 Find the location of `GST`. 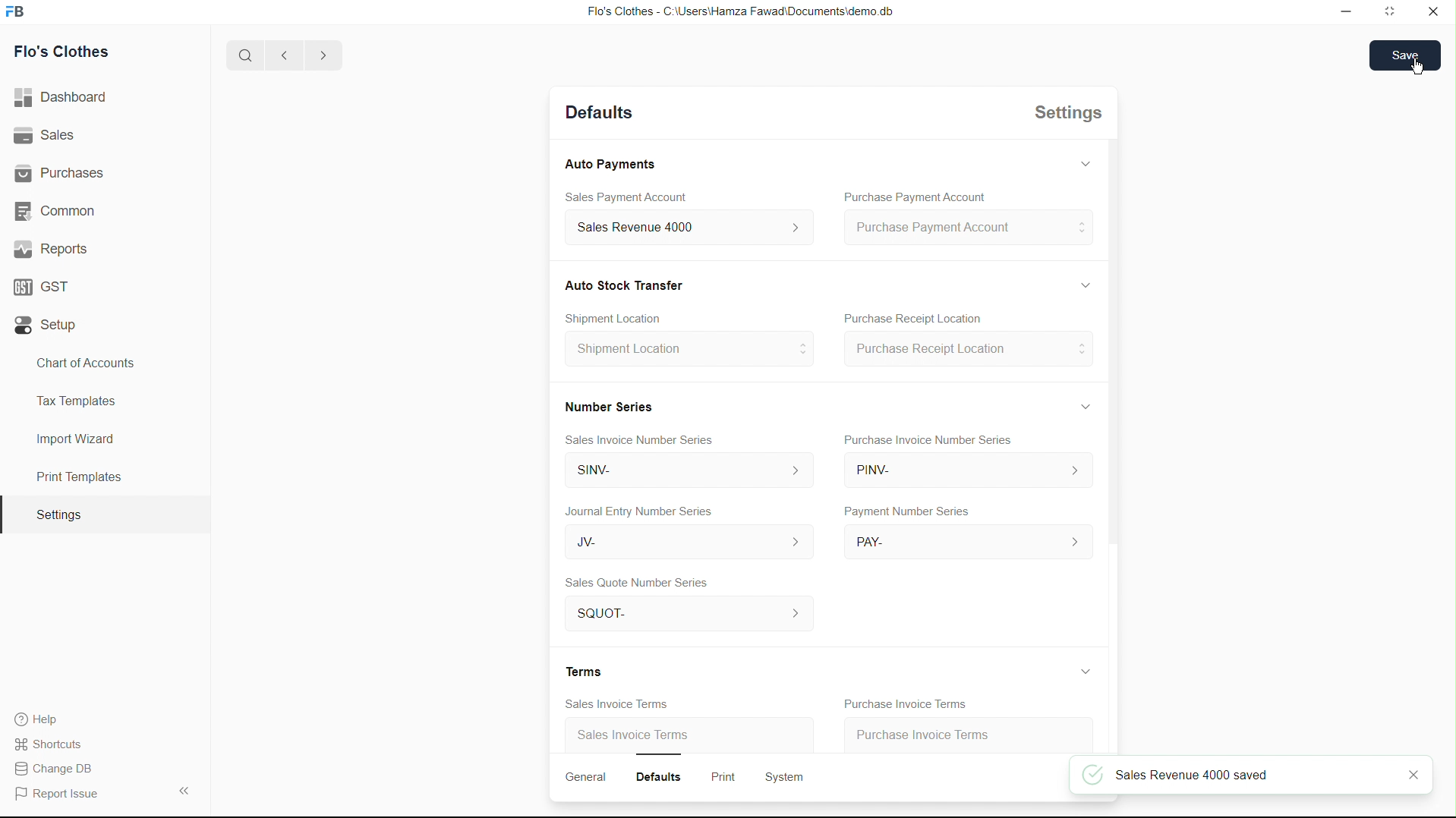

GST is located at coordinates (47, 283).